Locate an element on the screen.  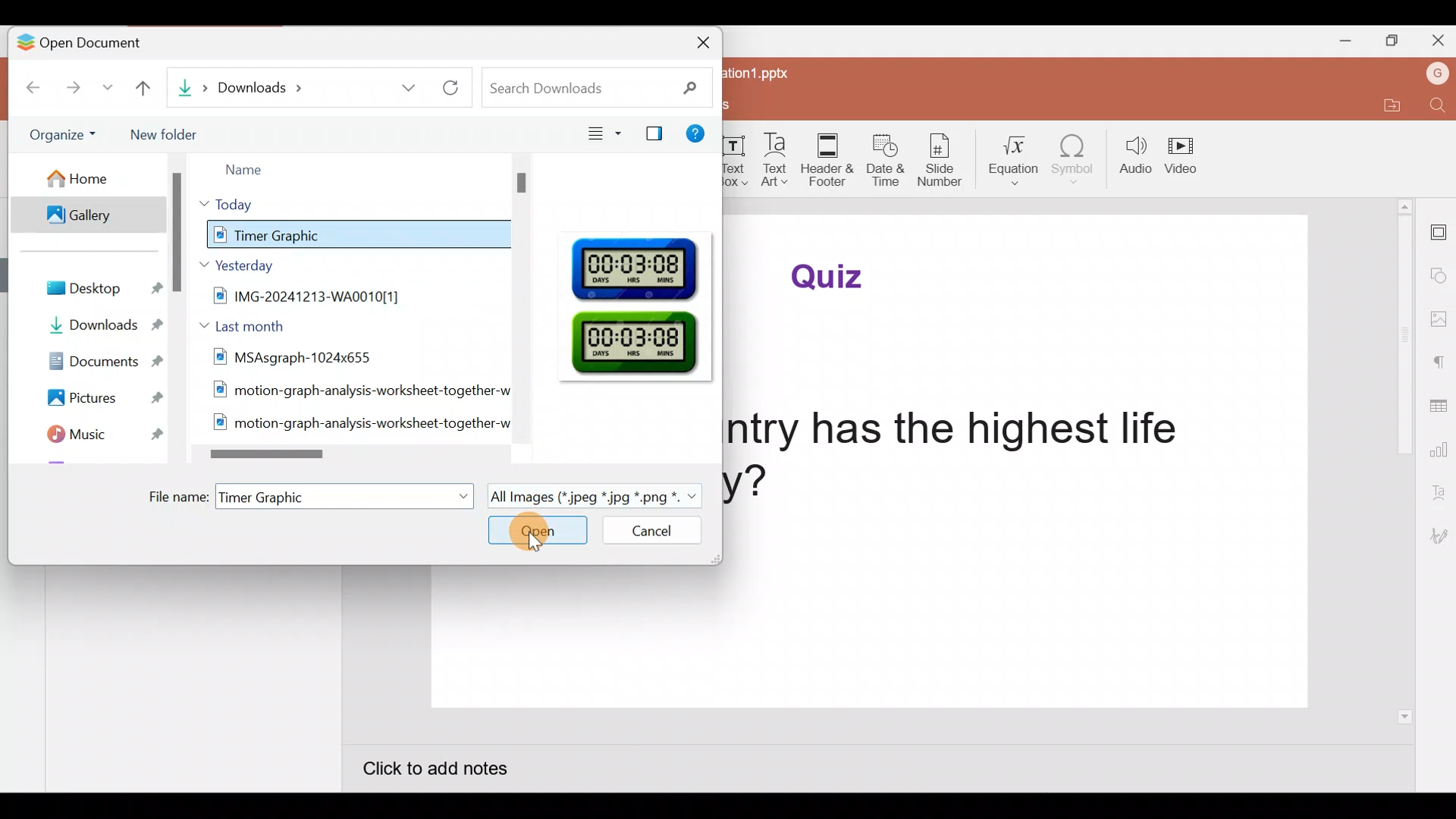
Paragraph settings is located at coordinates (1439, 362).